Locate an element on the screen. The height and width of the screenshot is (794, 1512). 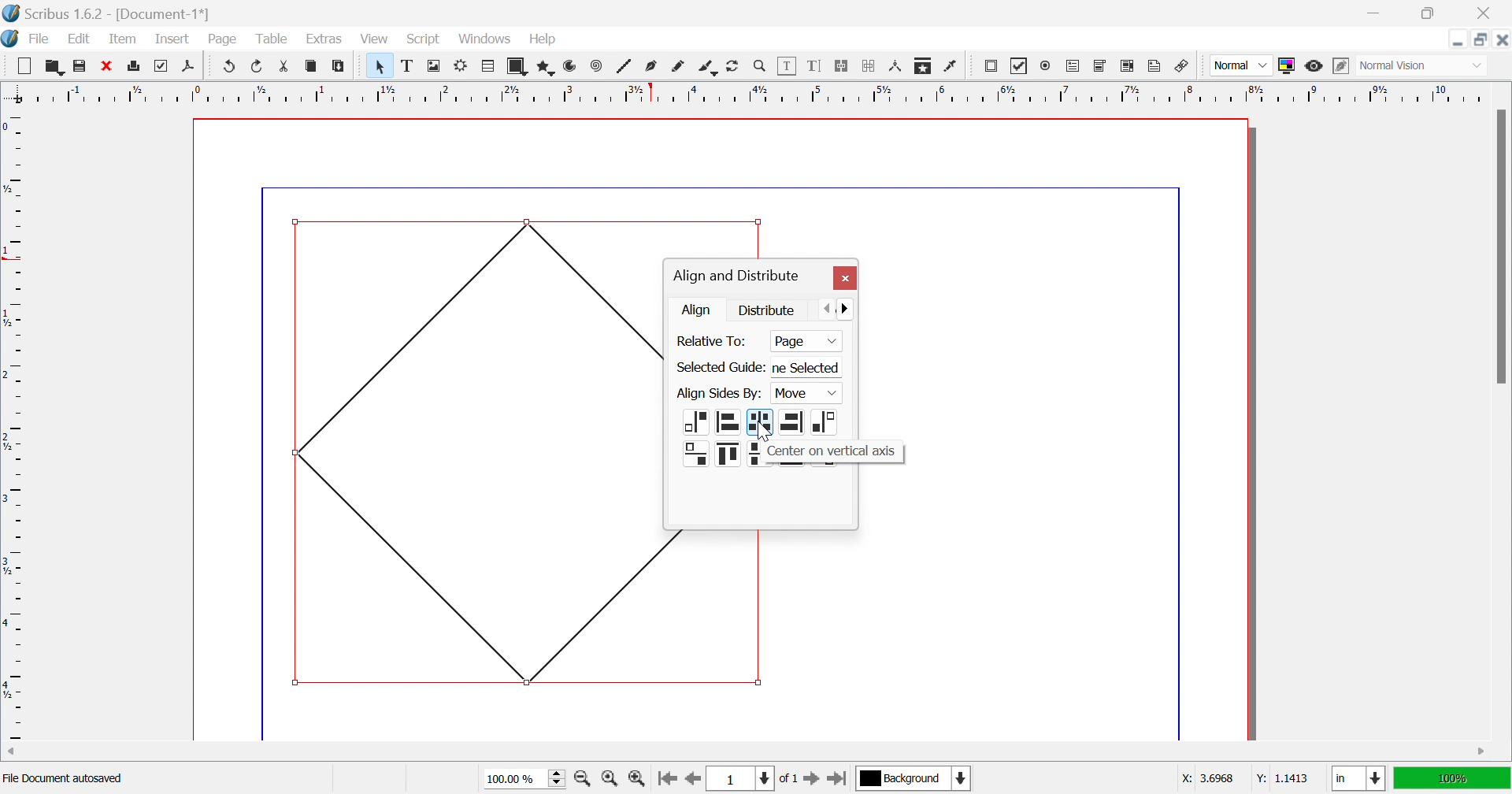
100.00% is located at coordinates (527, 779).